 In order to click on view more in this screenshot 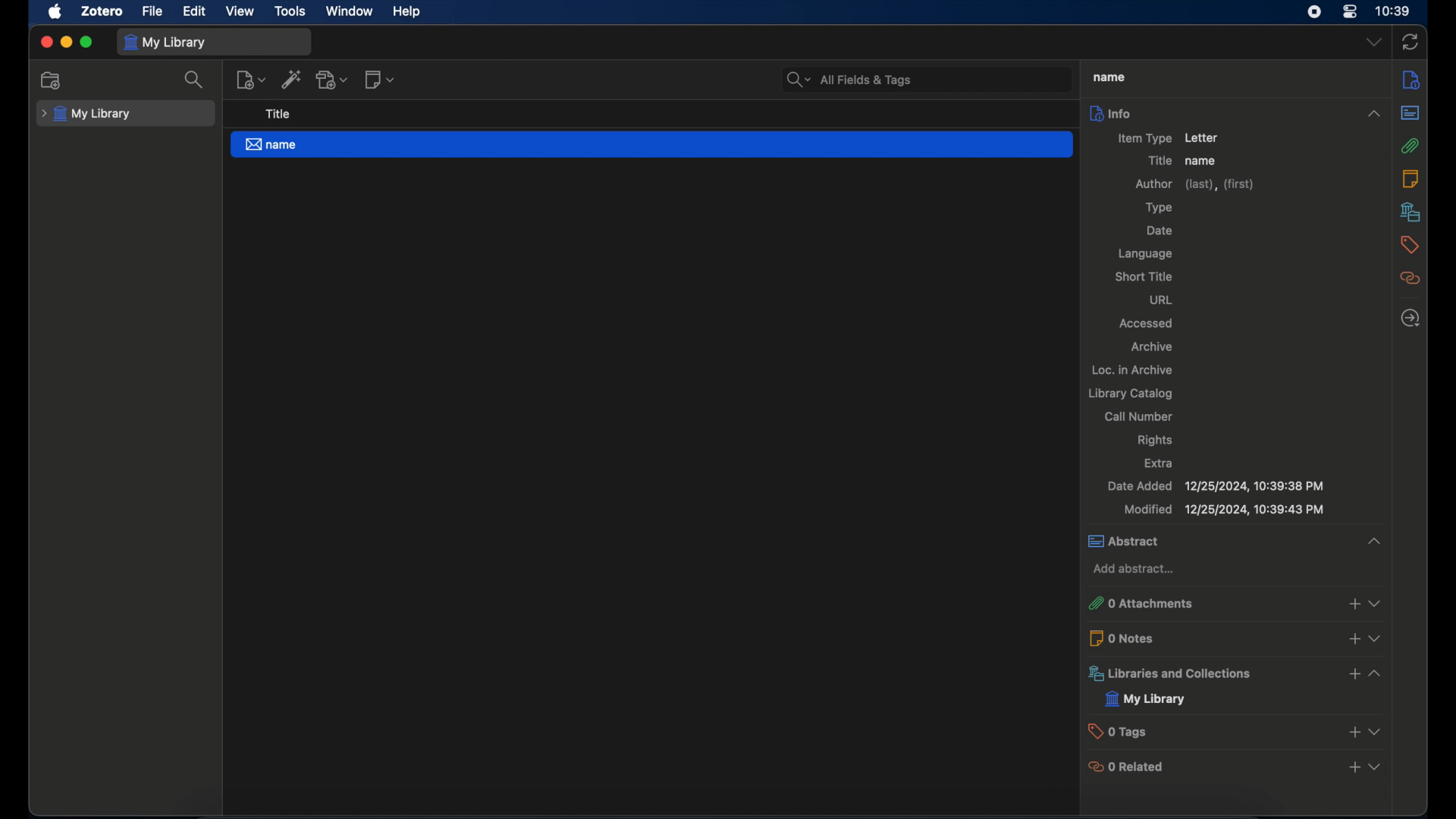, I will do `click(1376, 640)`.